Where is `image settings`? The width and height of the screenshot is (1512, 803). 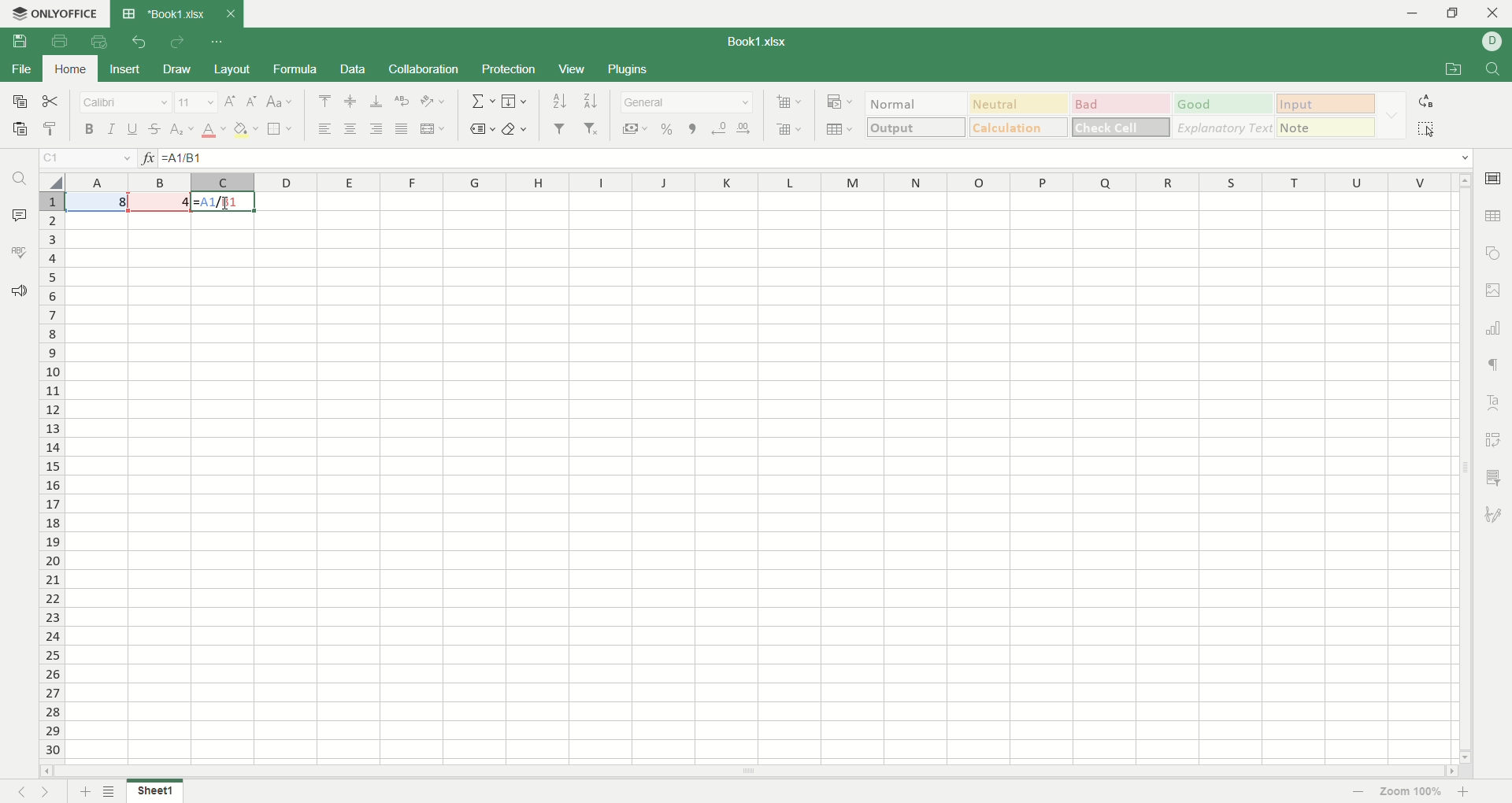
image settings is located at coordinates (1495, 288).